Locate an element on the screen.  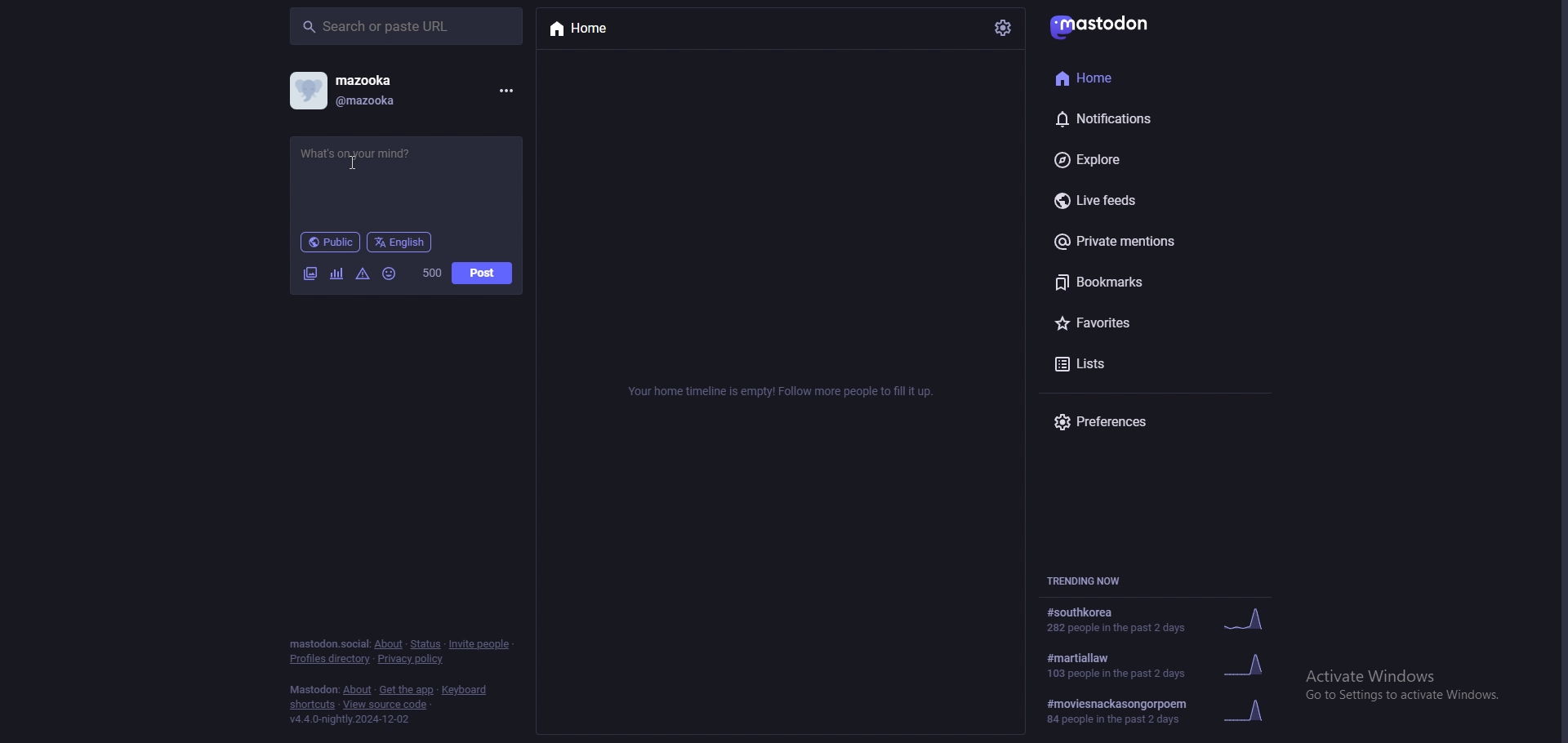
status is located at coordinates (406, 168).